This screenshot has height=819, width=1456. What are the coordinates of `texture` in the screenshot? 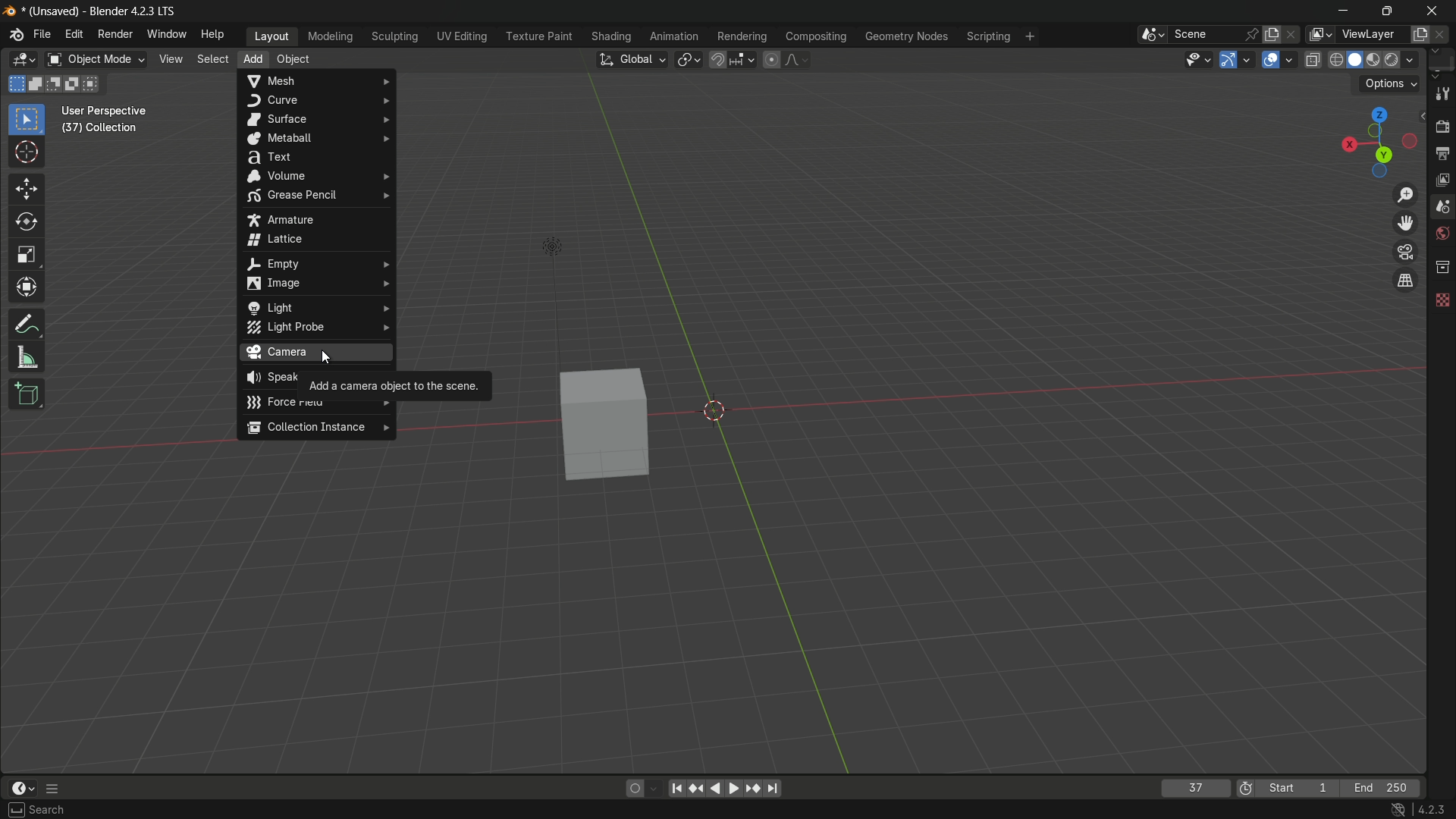 It's located at (1442, 300).